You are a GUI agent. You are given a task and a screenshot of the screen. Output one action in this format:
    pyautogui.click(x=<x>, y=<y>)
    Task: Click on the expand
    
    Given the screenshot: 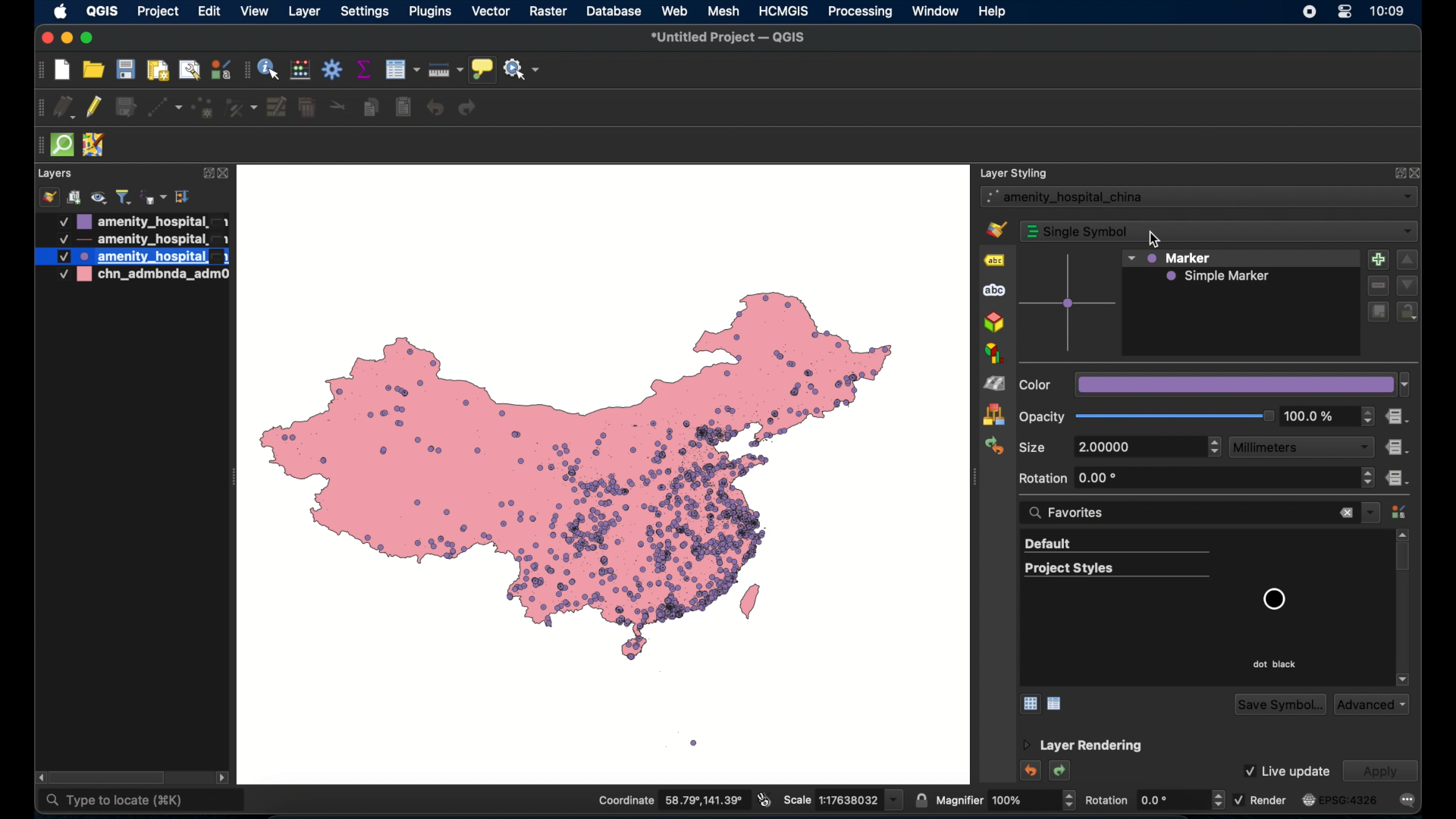 What is the action you would take?
    pyautogui.click(x=1396, y=172)
    